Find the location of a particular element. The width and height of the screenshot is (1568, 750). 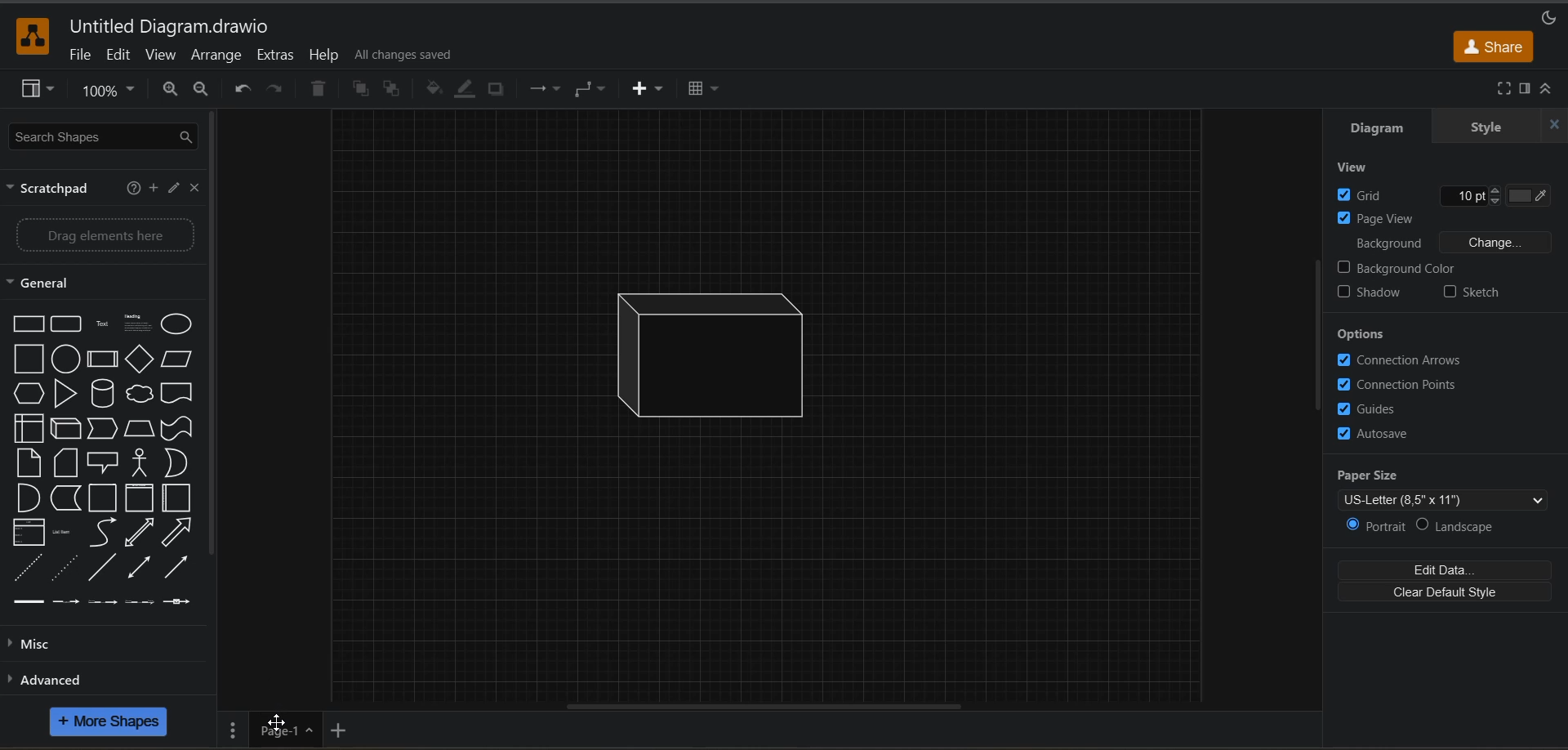

horizontal scroll bar is located at coordinates (768, 705).